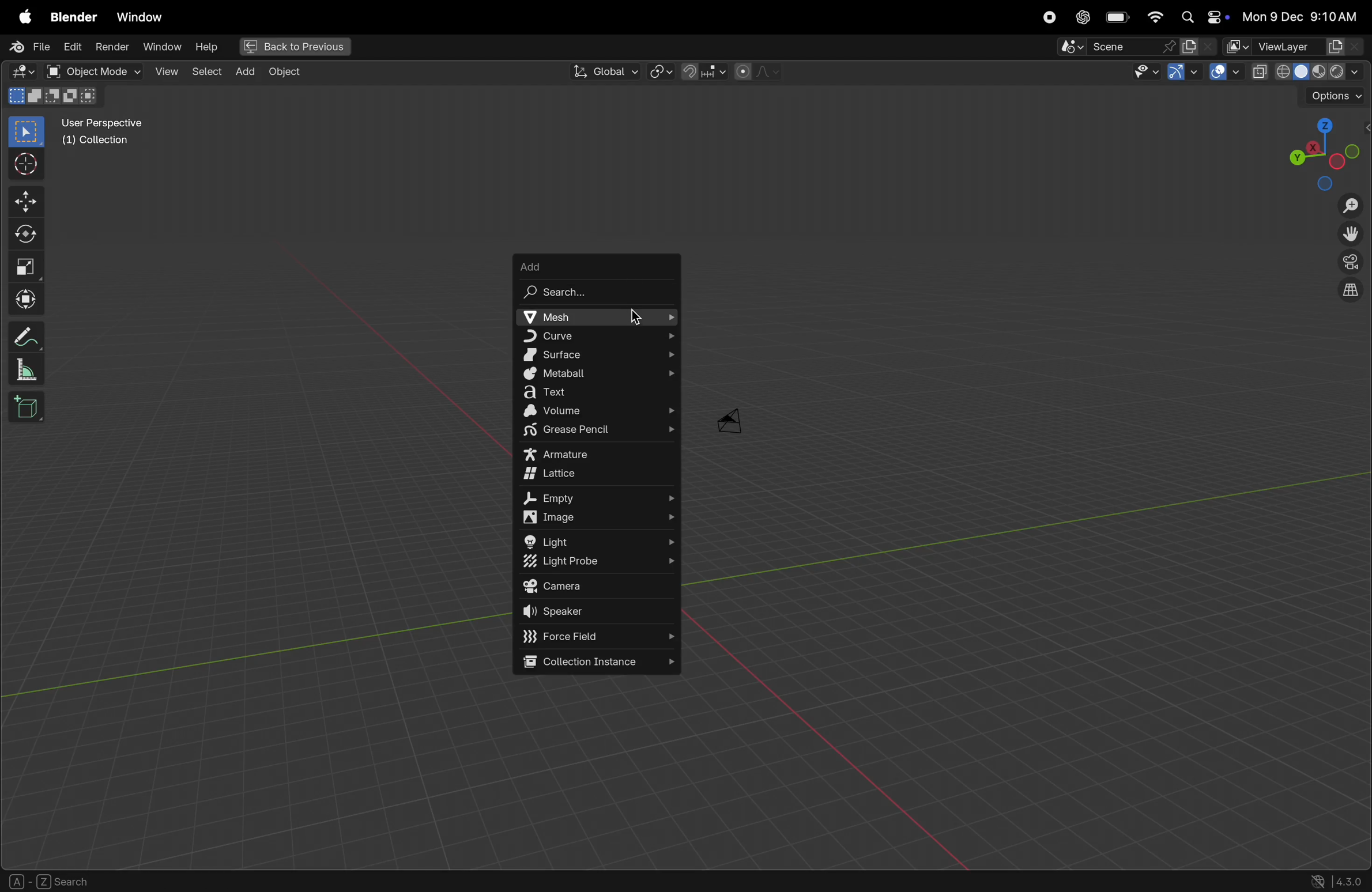  Describe the element at coordinates (22, 17) in the screenshot. I see `apple menu` at that location.